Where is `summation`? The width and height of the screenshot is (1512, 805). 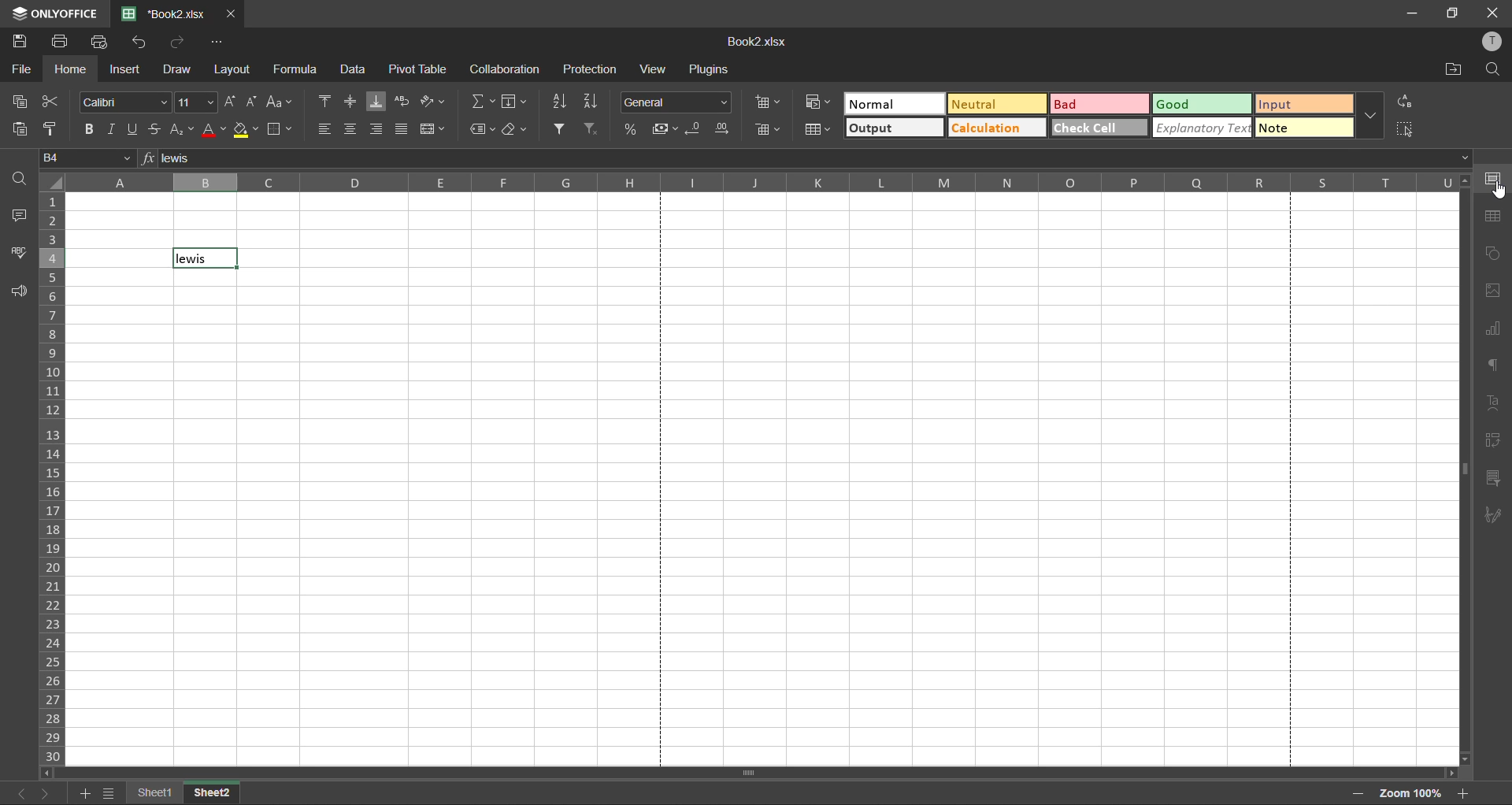
summation is located at coordinates (481, 102).